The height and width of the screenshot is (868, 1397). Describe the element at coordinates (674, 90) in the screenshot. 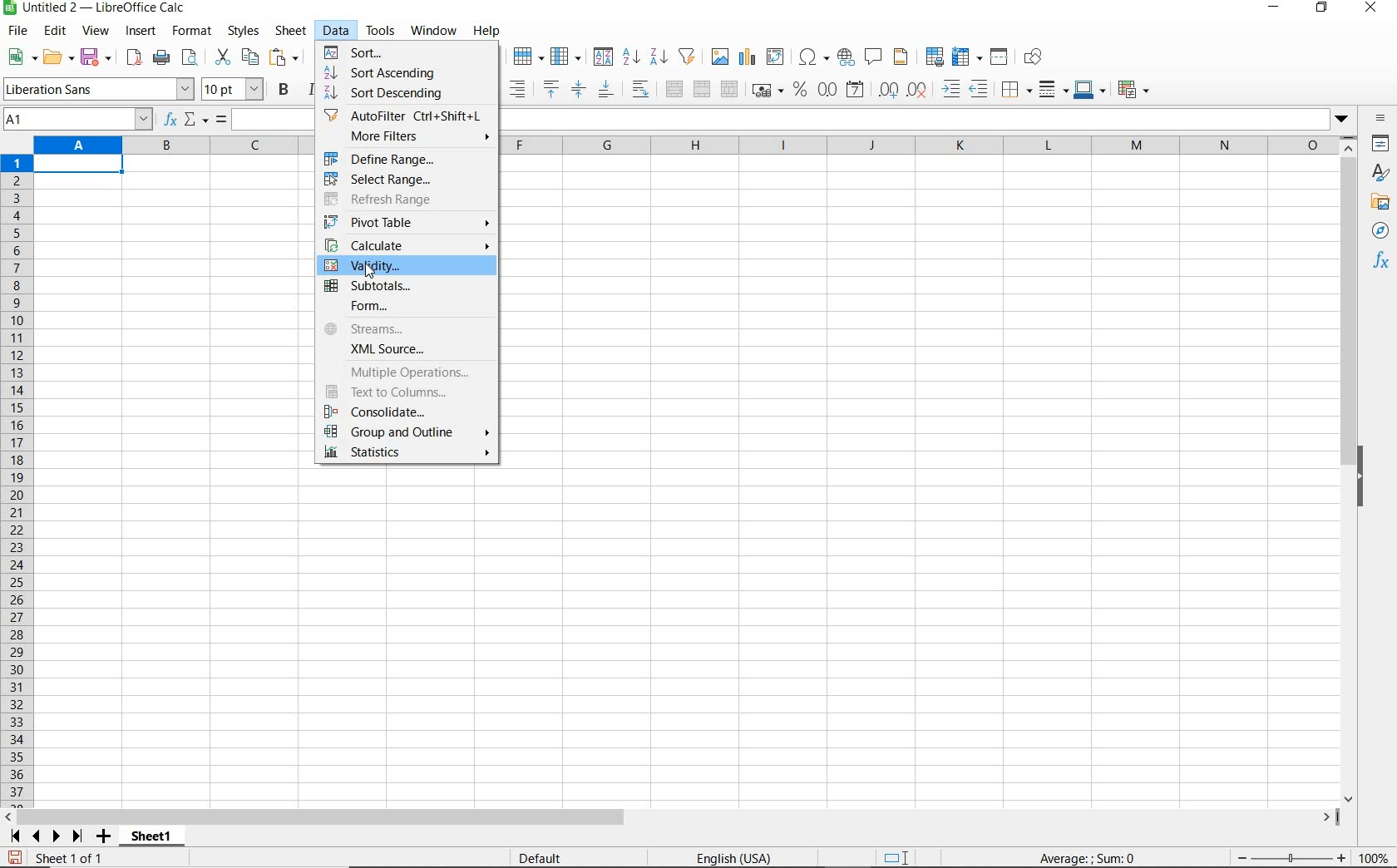

I see `merge and center or unmerge cells` at that location.